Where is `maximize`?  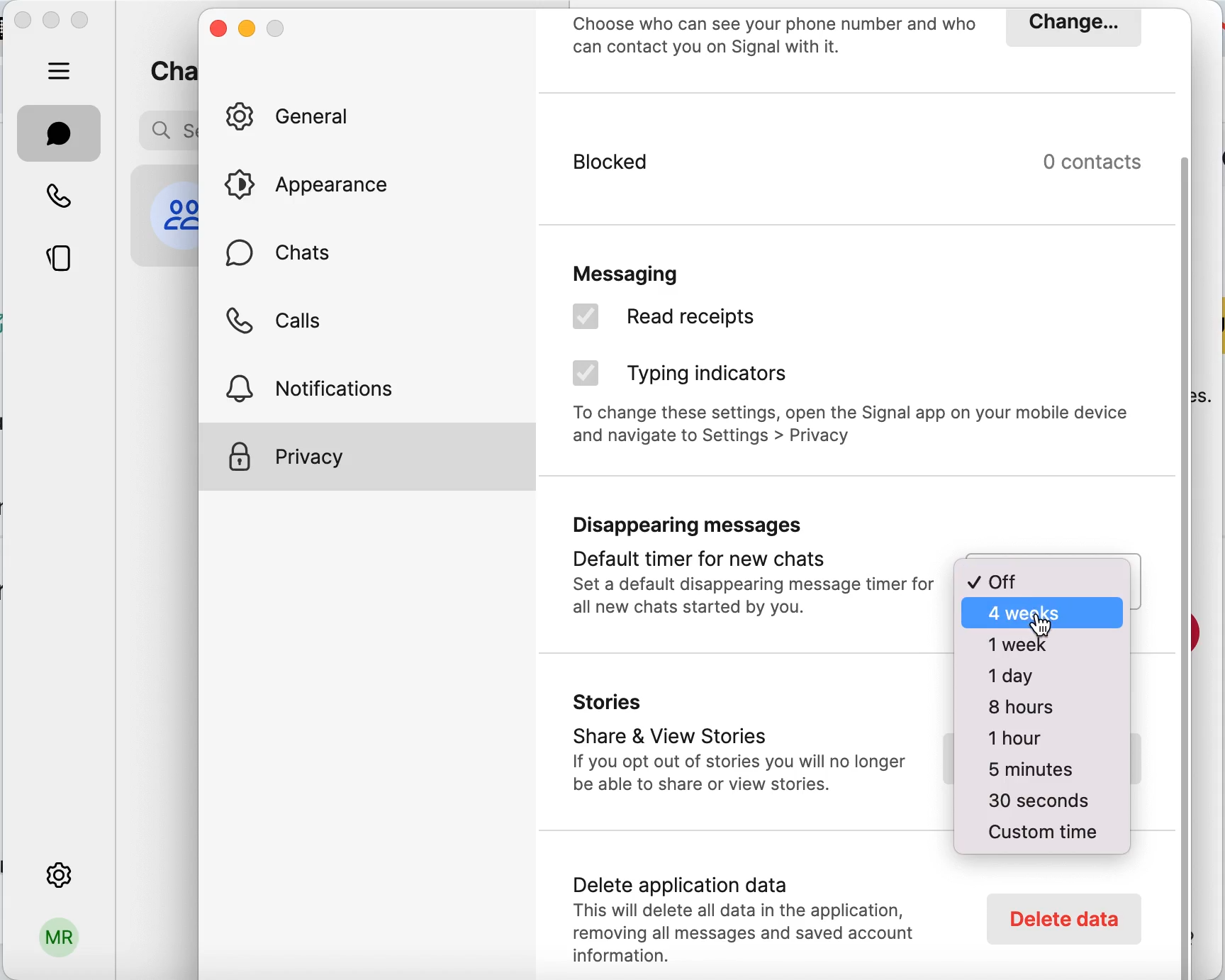 maximize is located at coordinates (84, 22).